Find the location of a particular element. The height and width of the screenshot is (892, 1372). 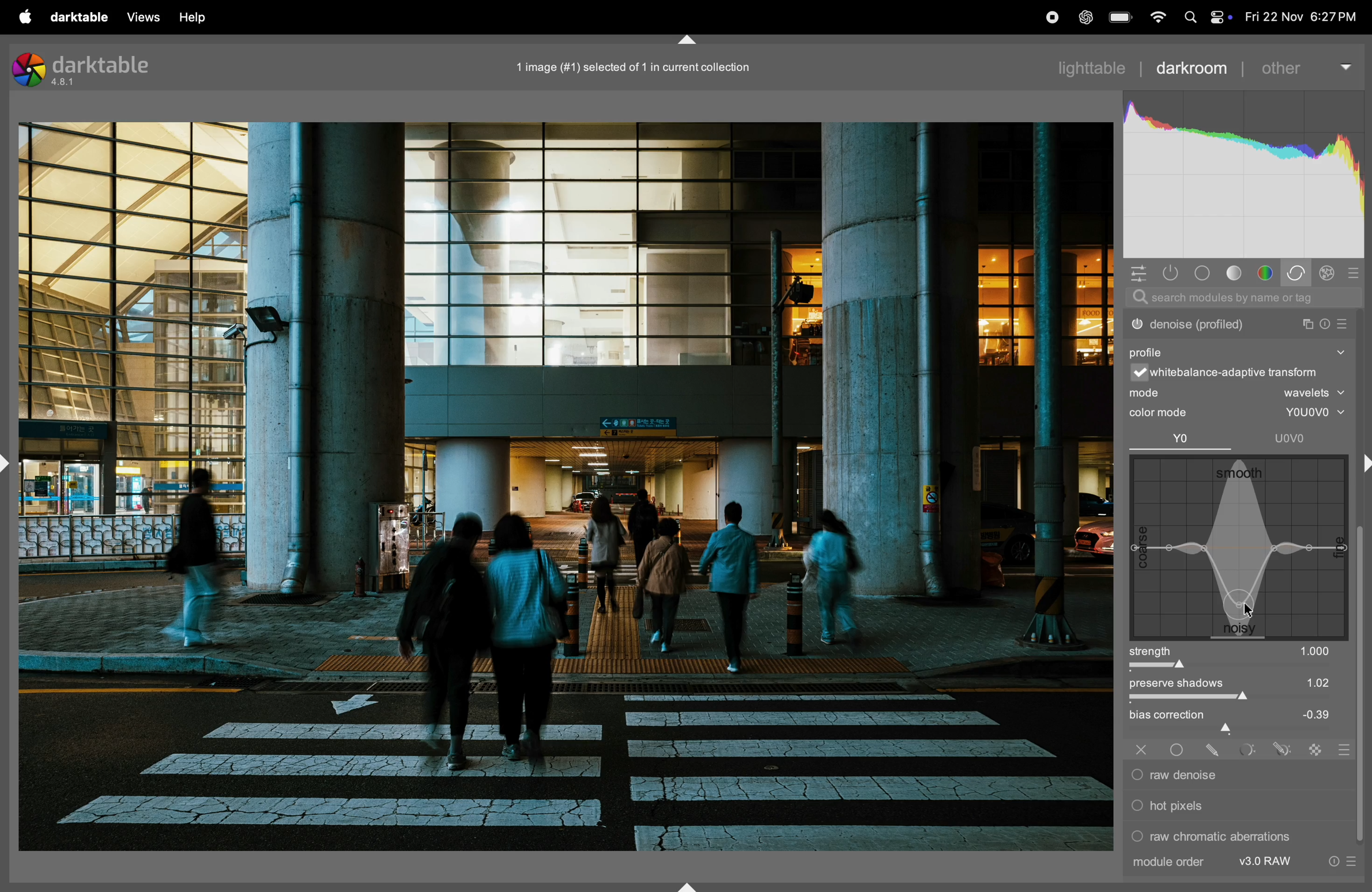

Yo is located at coordinates (1176, 439).